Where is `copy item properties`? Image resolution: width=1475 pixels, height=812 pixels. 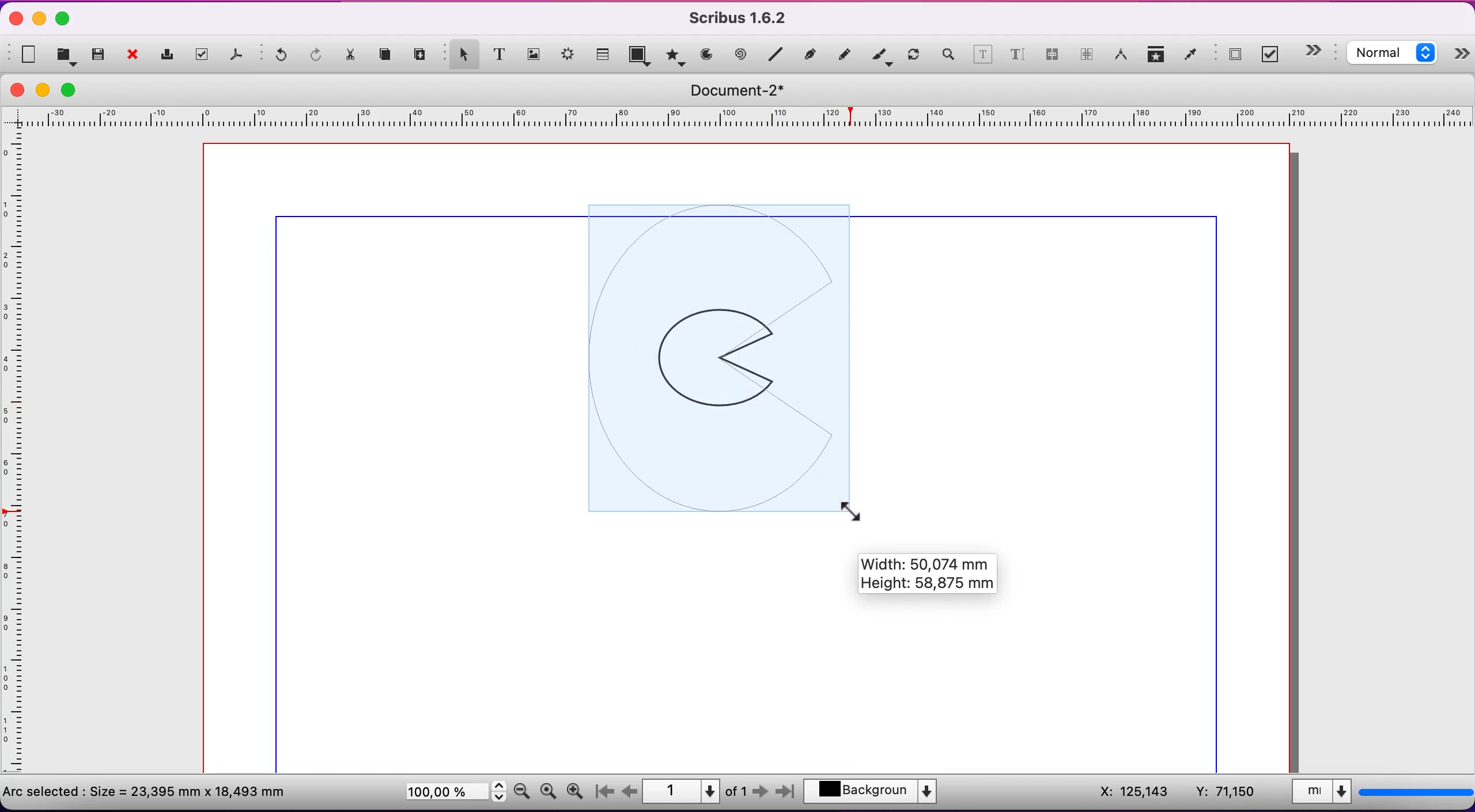 copy item properties is located at coordinates (1157, 56).